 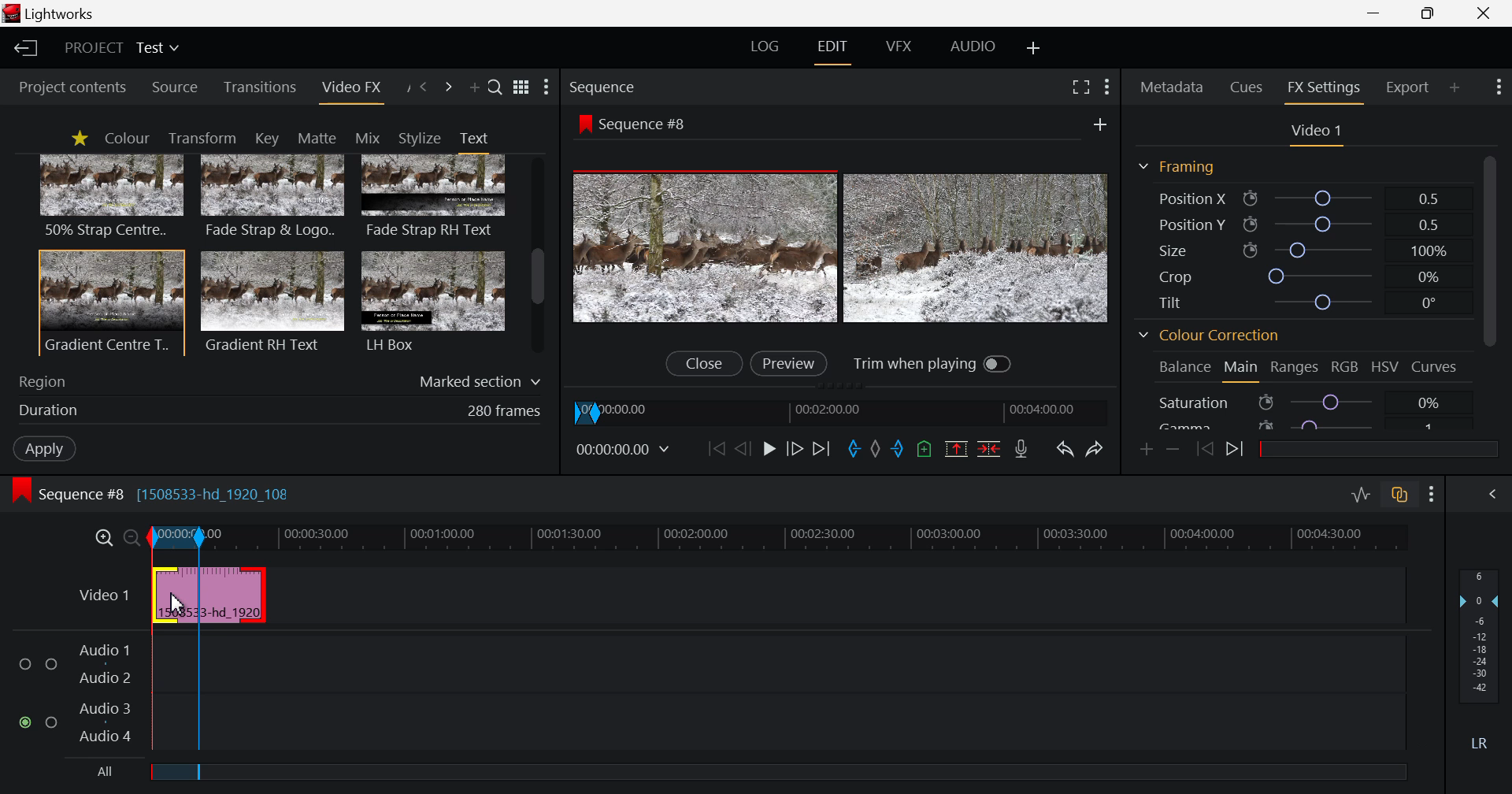 What do you see at coordinates (989, 451) in the screenshot?
I see `Delete/Cut` at bounding box center [989, 451].